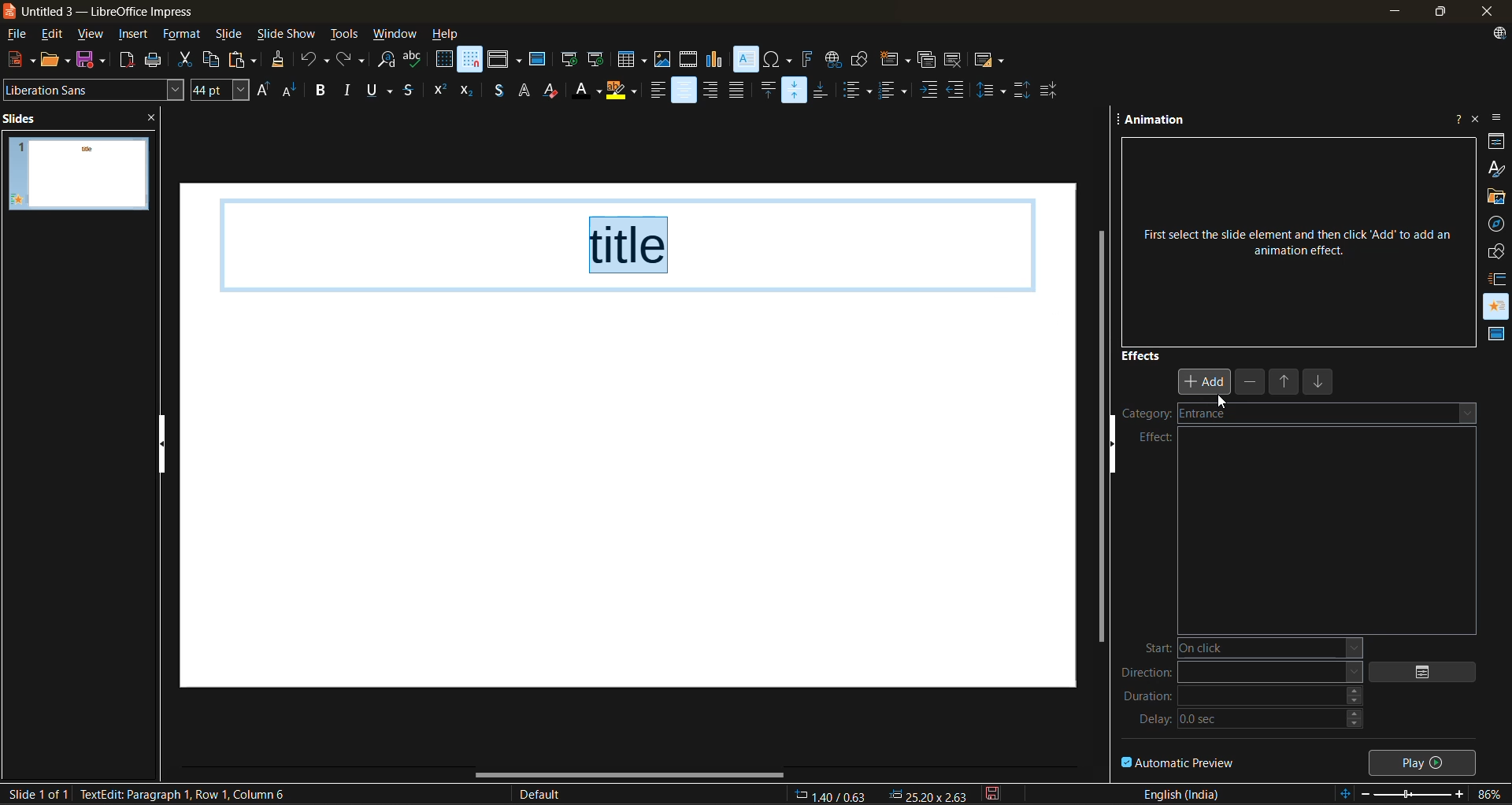  Describe the element at coordinates (549, 796) in the screenshot. I see `slide master name` at that location.